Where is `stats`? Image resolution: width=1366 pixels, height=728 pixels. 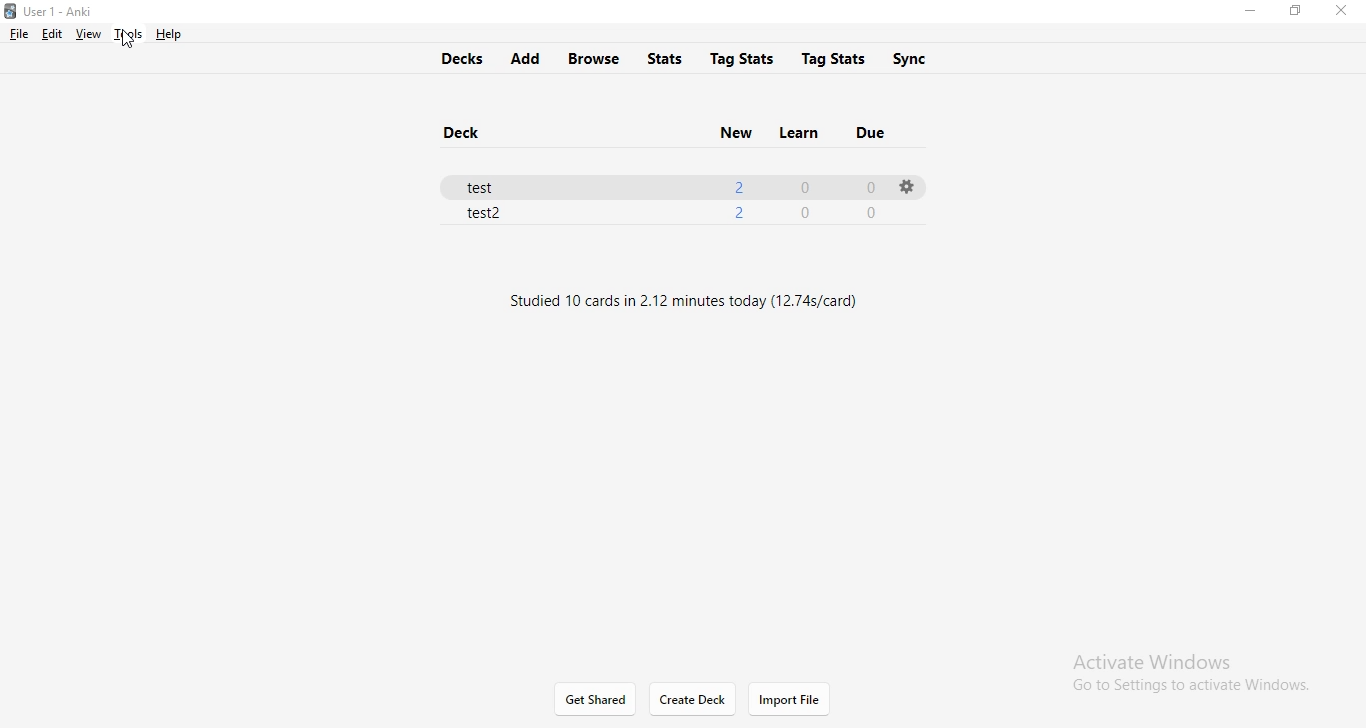
stats is located at coordinates (669, 56).